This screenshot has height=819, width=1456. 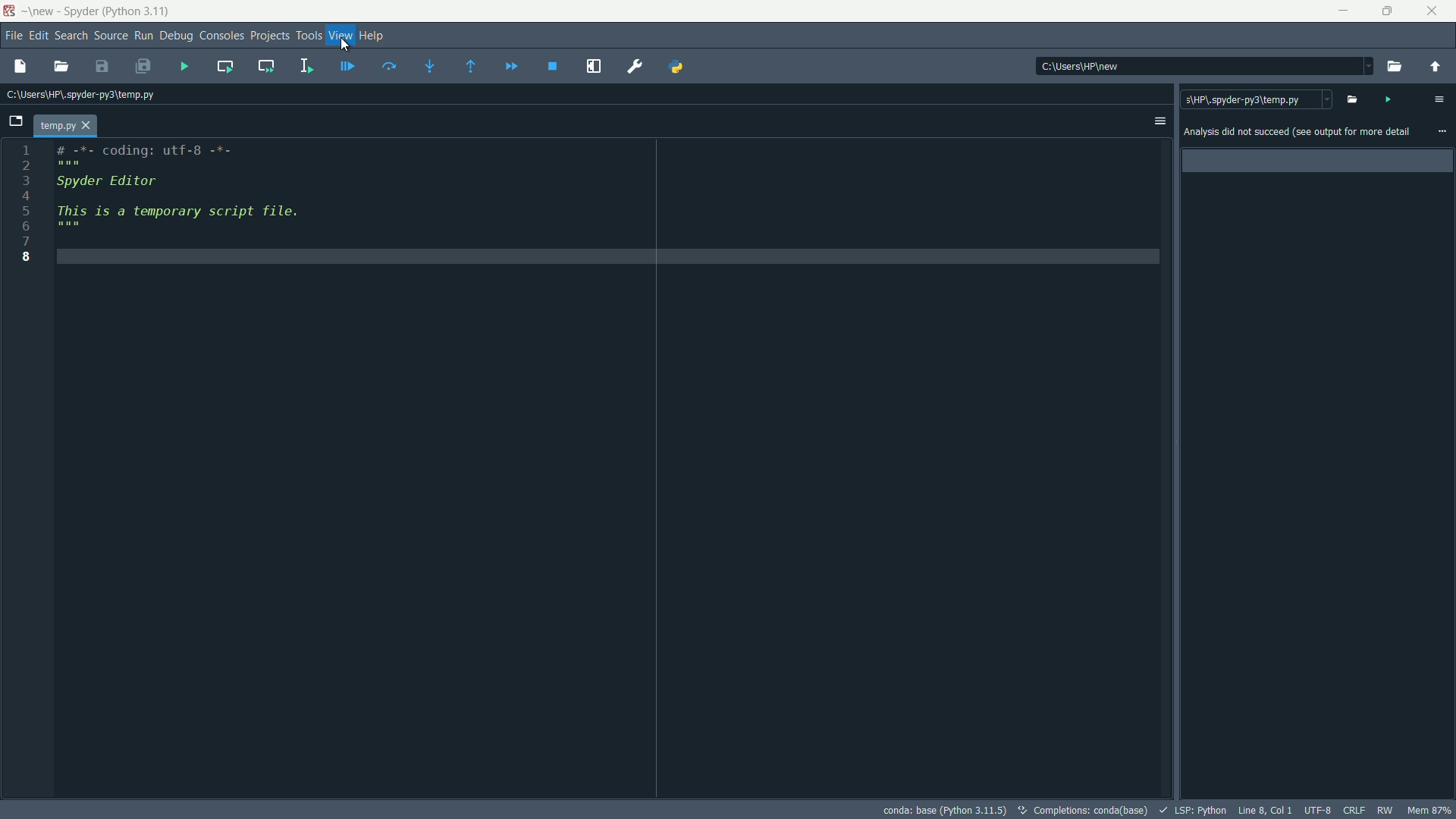 What do you see at coordinates (30, 197) in the screenshot?
I see `4` at bounding box center [30, 197].